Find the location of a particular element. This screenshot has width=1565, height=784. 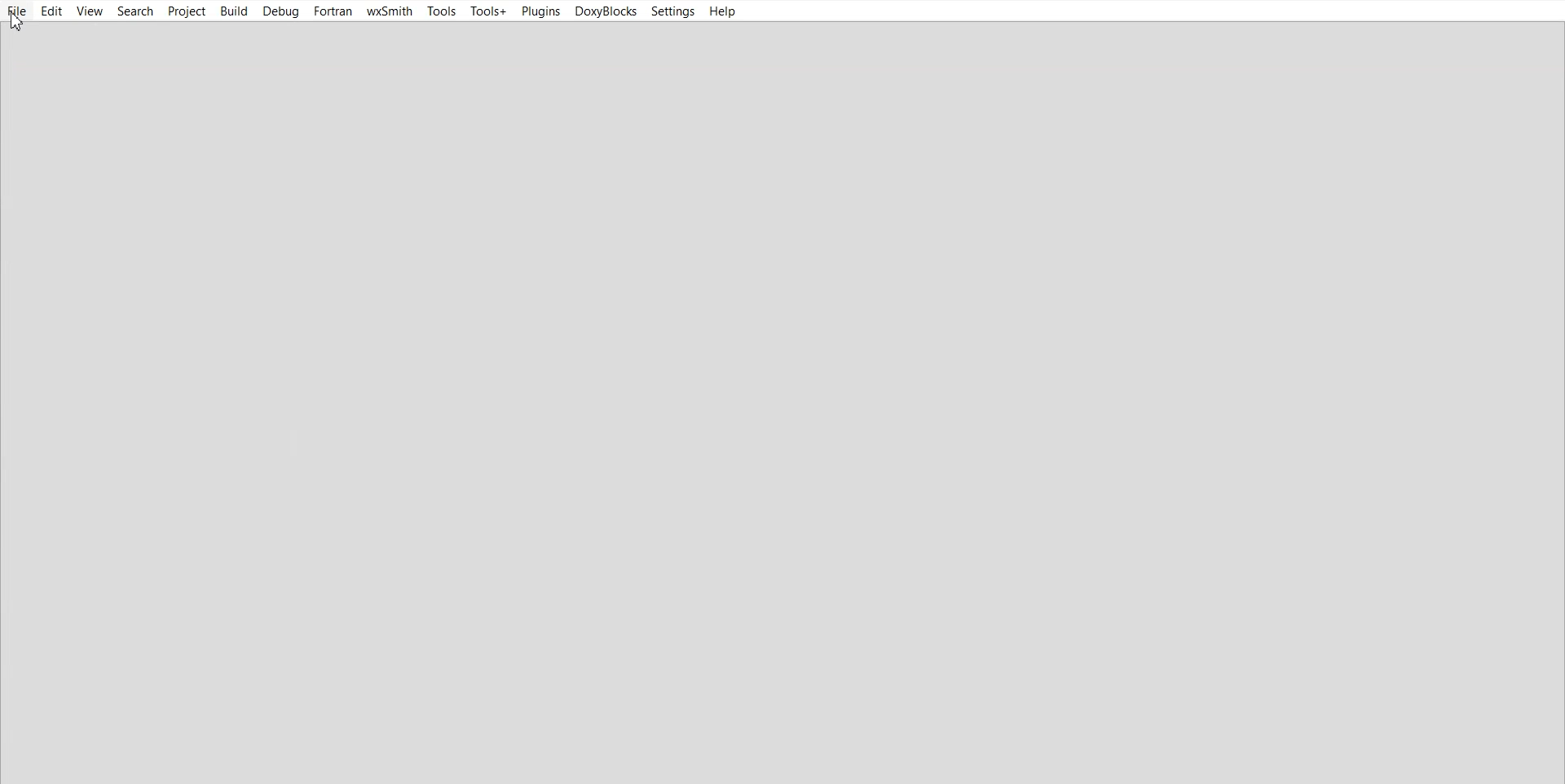

Cursor is located at coordinates (18, 22).